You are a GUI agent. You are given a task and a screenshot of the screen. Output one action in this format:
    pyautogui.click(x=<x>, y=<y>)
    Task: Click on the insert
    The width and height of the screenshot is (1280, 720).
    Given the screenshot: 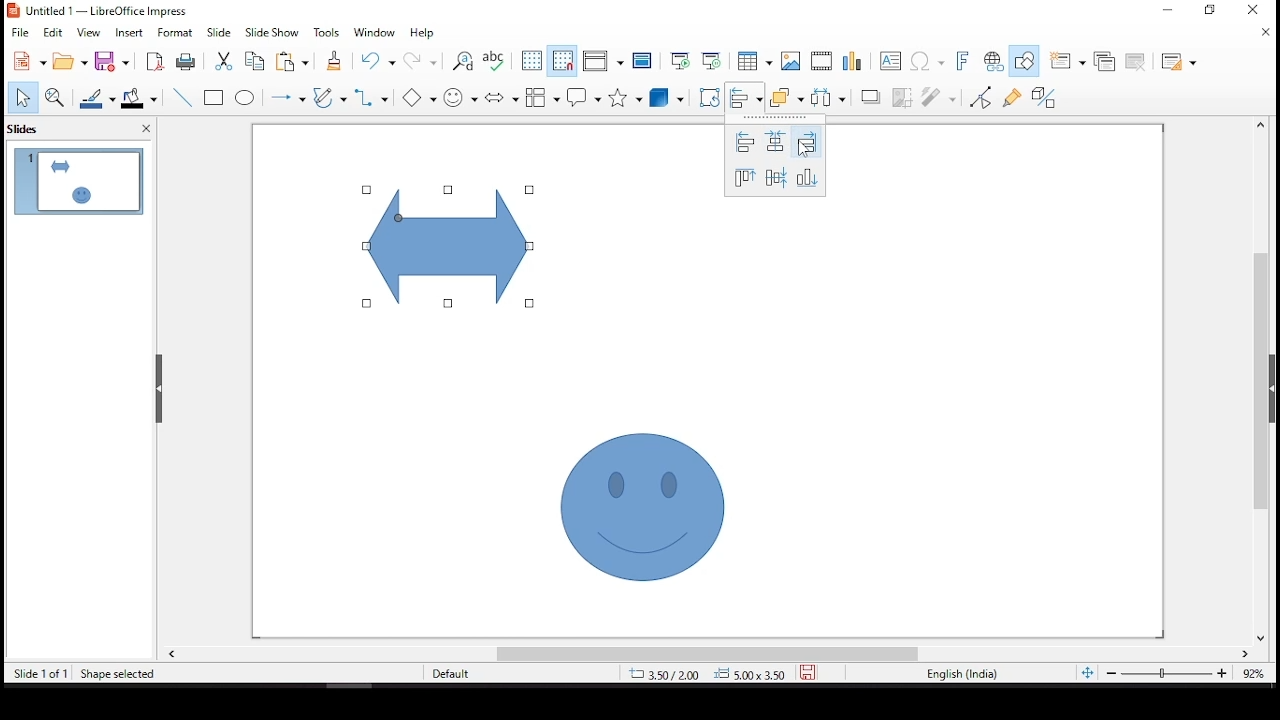 What is the action you would take?
    pyautogui.click(x=132, y=35)
    